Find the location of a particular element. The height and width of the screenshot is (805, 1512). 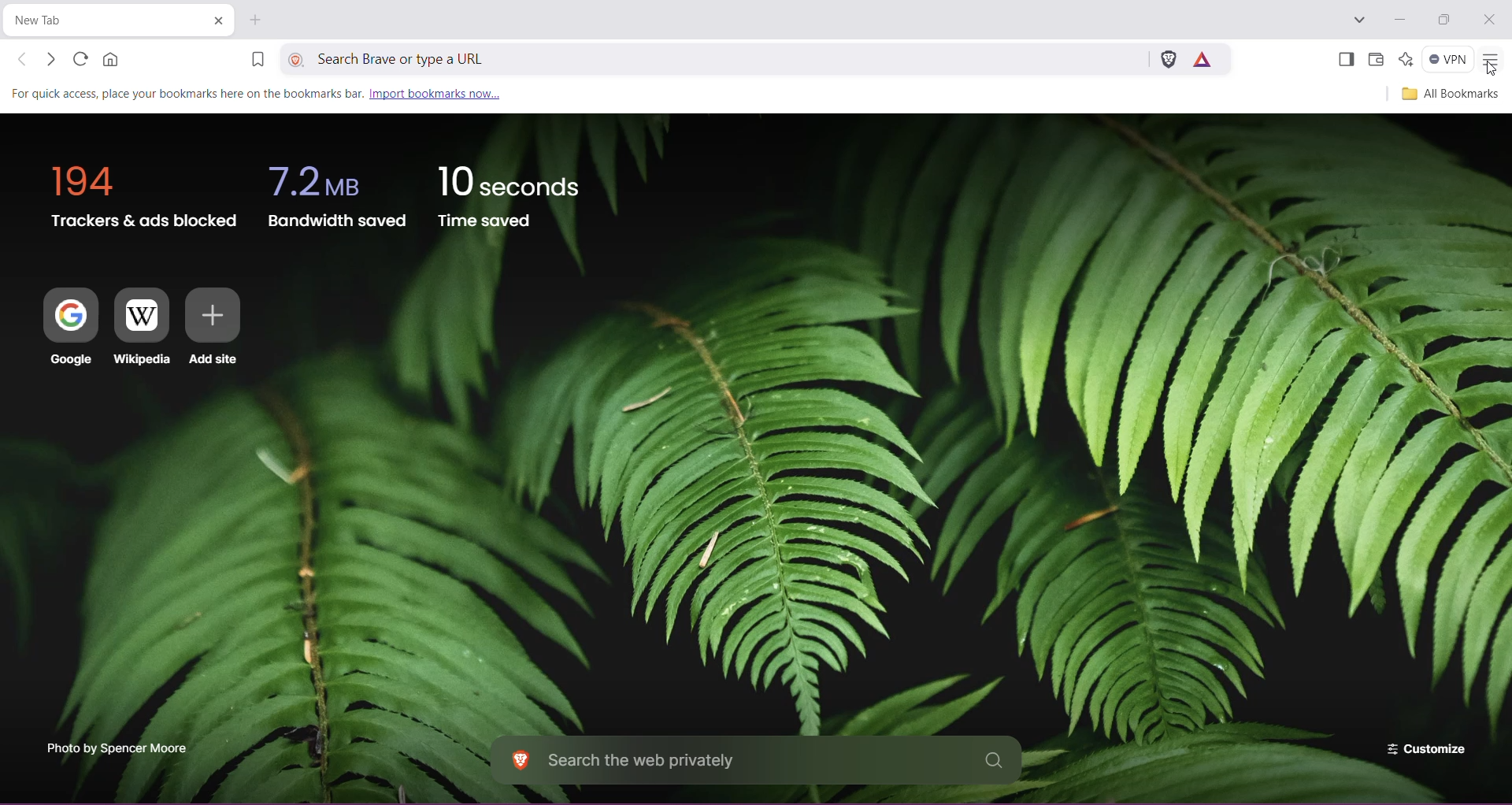

cursor is located at coordinates (1489, 72).